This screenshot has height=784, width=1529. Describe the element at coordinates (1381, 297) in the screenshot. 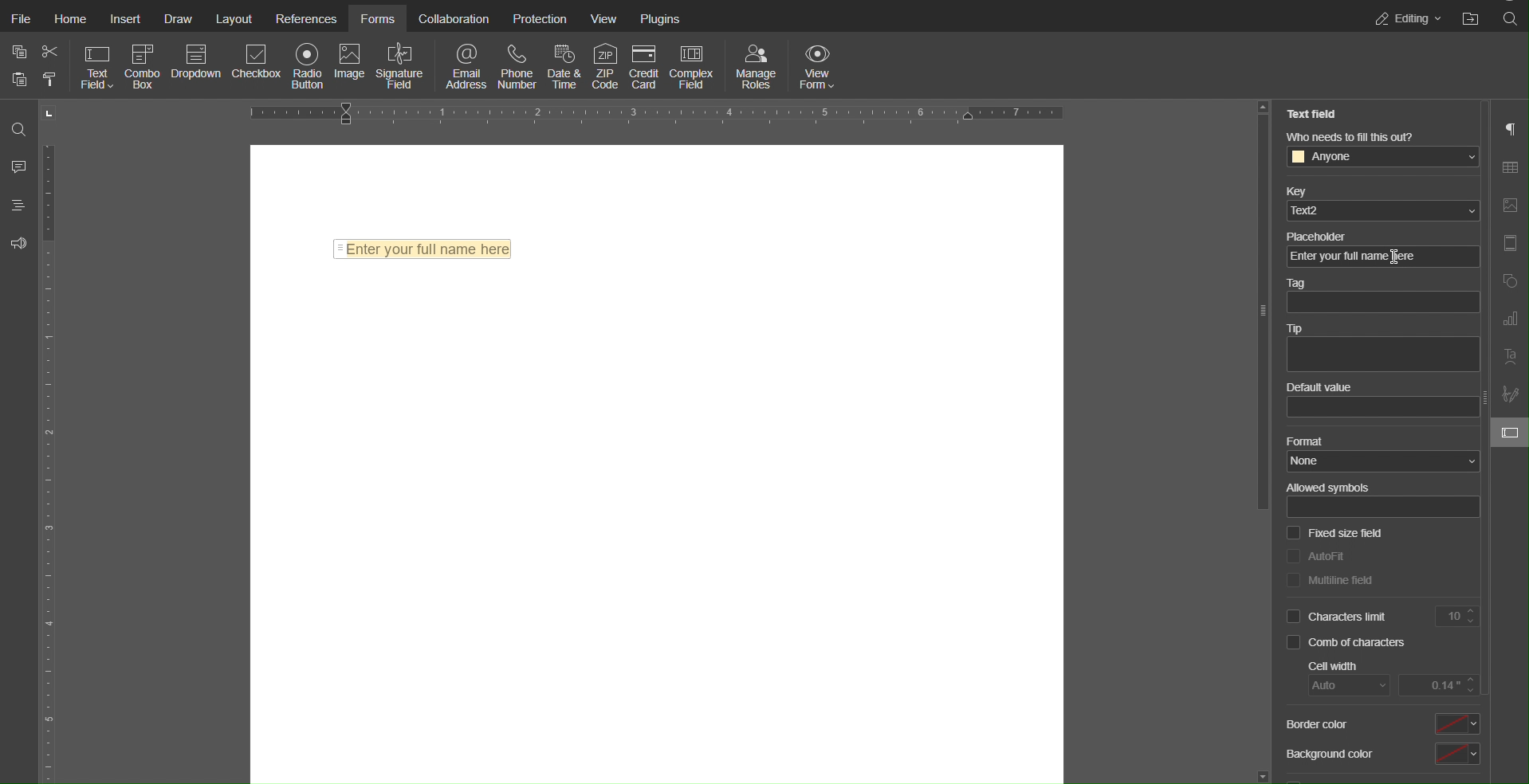

I see `Tag` at that location.